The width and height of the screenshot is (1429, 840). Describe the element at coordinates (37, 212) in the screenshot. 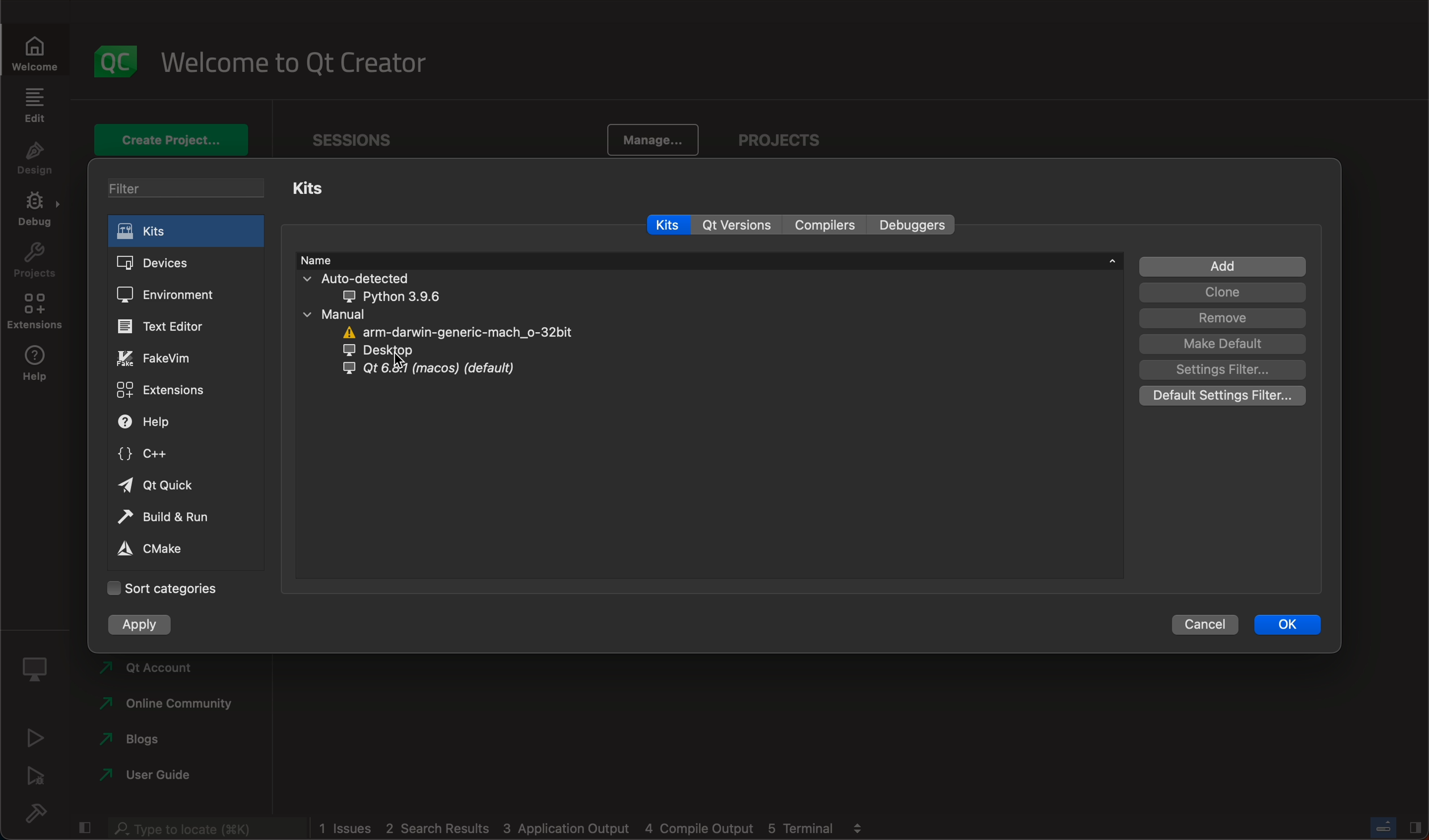

I see `debug` at that location.